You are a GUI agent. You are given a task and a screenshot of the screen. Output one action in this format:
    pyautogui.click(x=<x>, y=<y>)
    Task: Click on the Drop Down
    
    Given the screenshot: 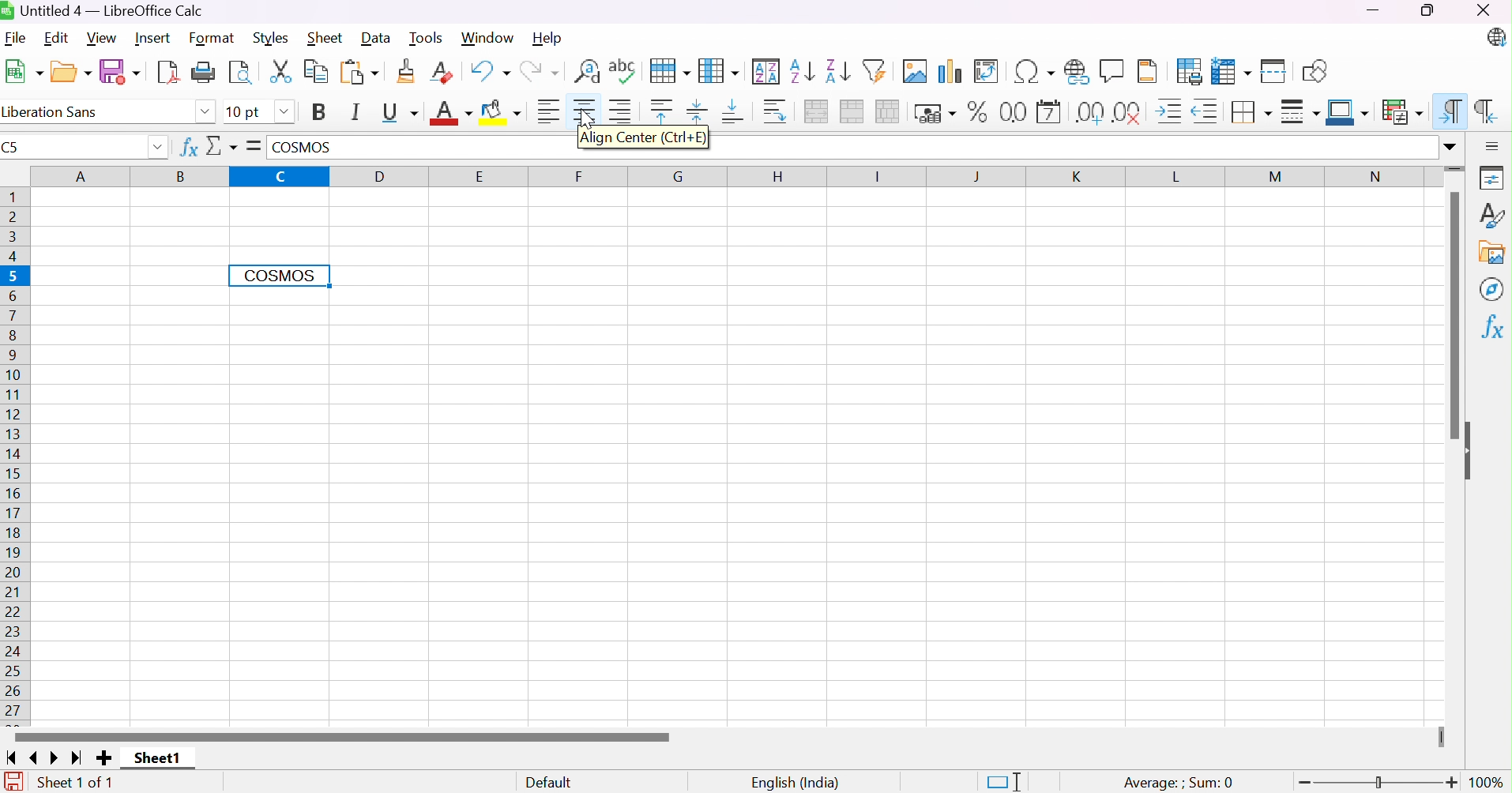 What is the action you would take?
    pyautogui.click(x=284, y=111)
    